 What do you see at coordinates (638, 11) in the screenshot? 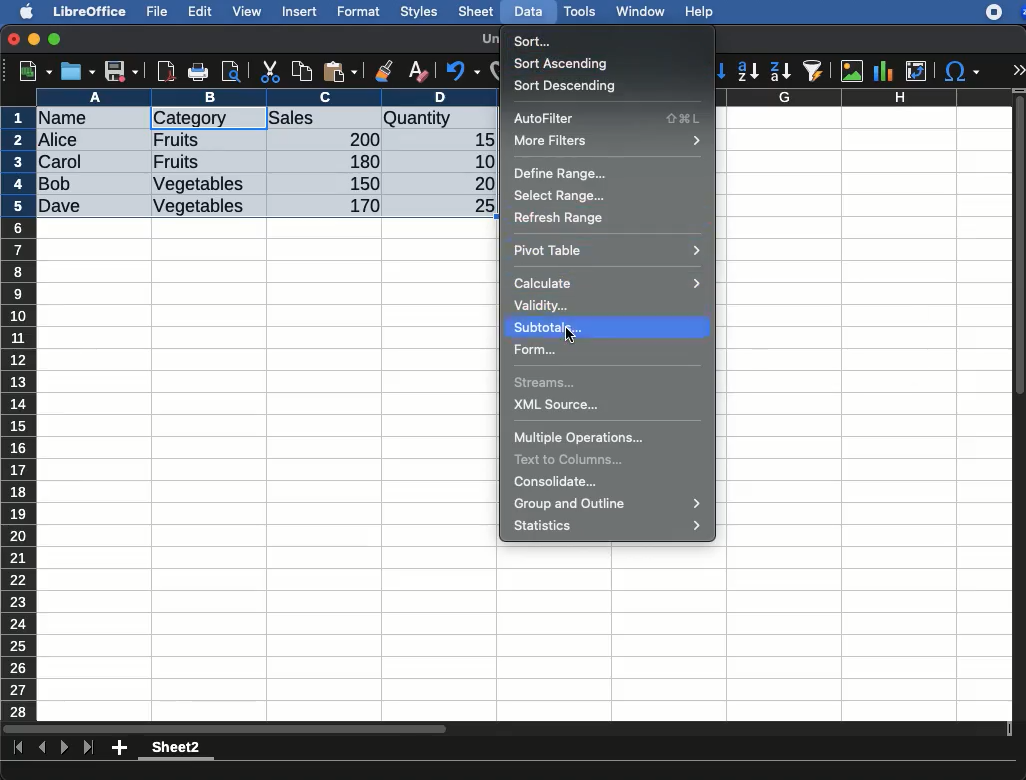
I see `window` at bounding box center [638, 11].